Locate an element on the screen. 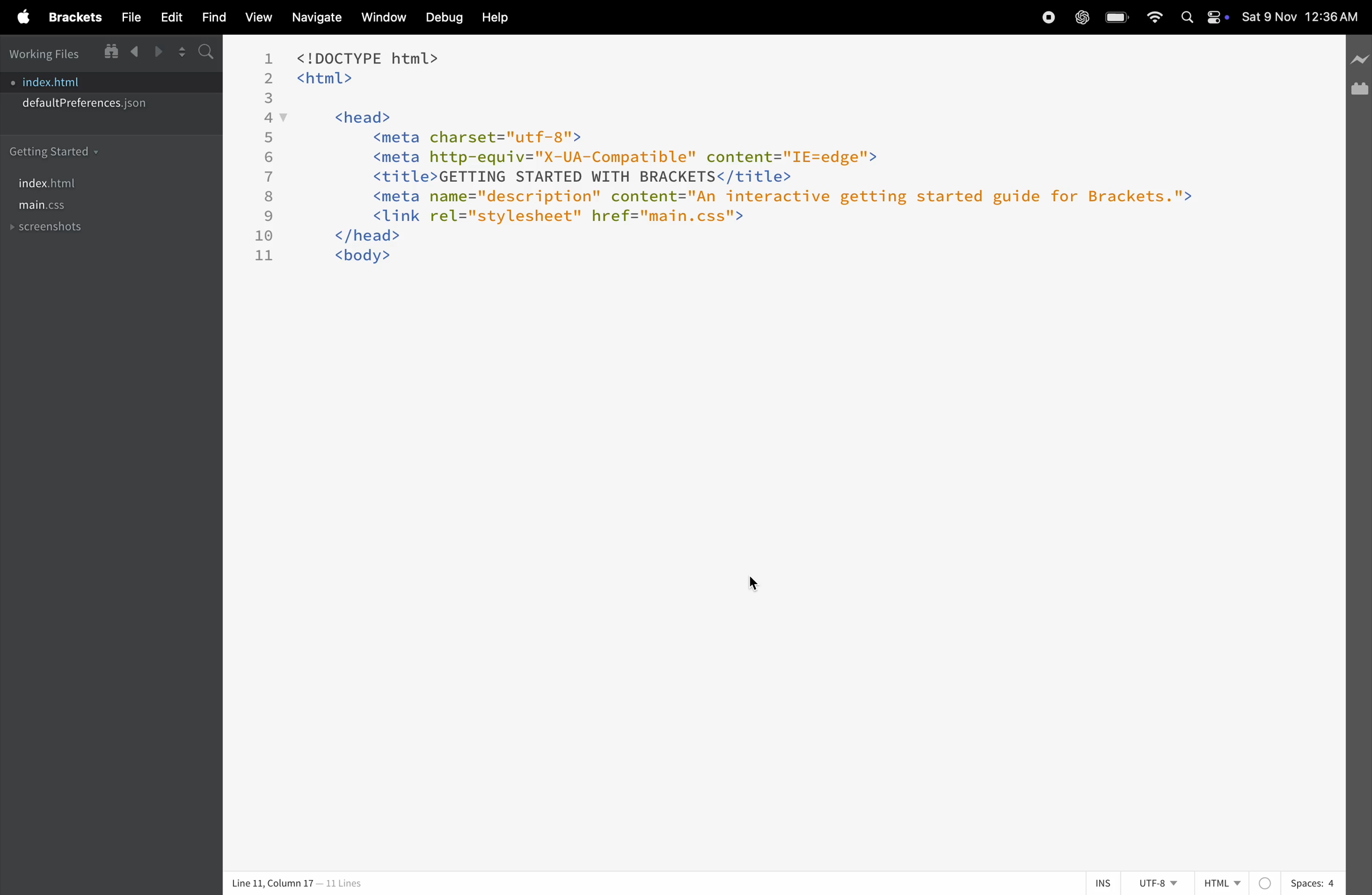 The height and width of the screenshot is (895, 1372). extension manager is located at coordinates (1359, 89).